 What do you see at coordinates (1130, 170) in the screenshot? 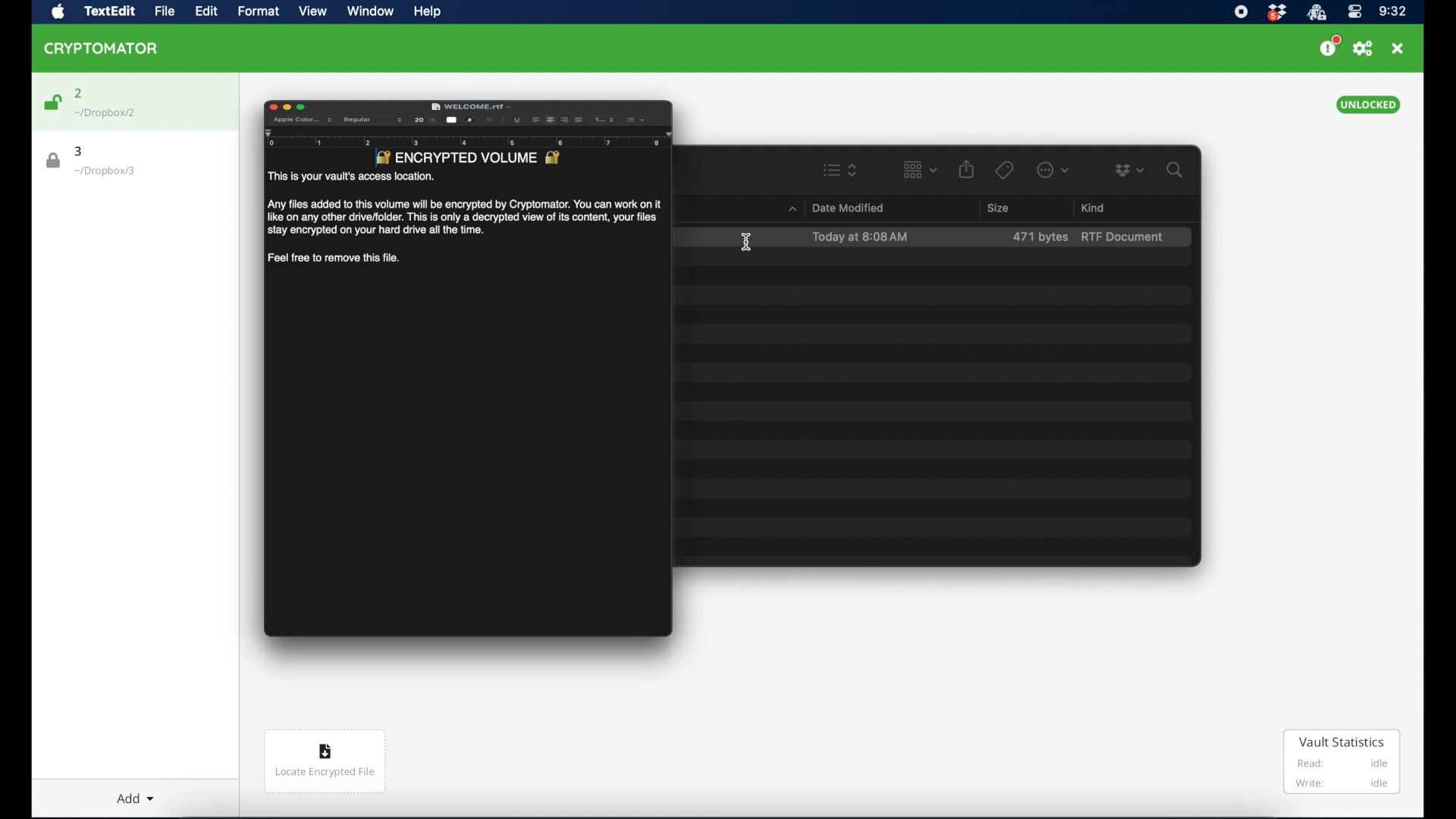
I see `dropbox` at bounding box center [1130, 170].